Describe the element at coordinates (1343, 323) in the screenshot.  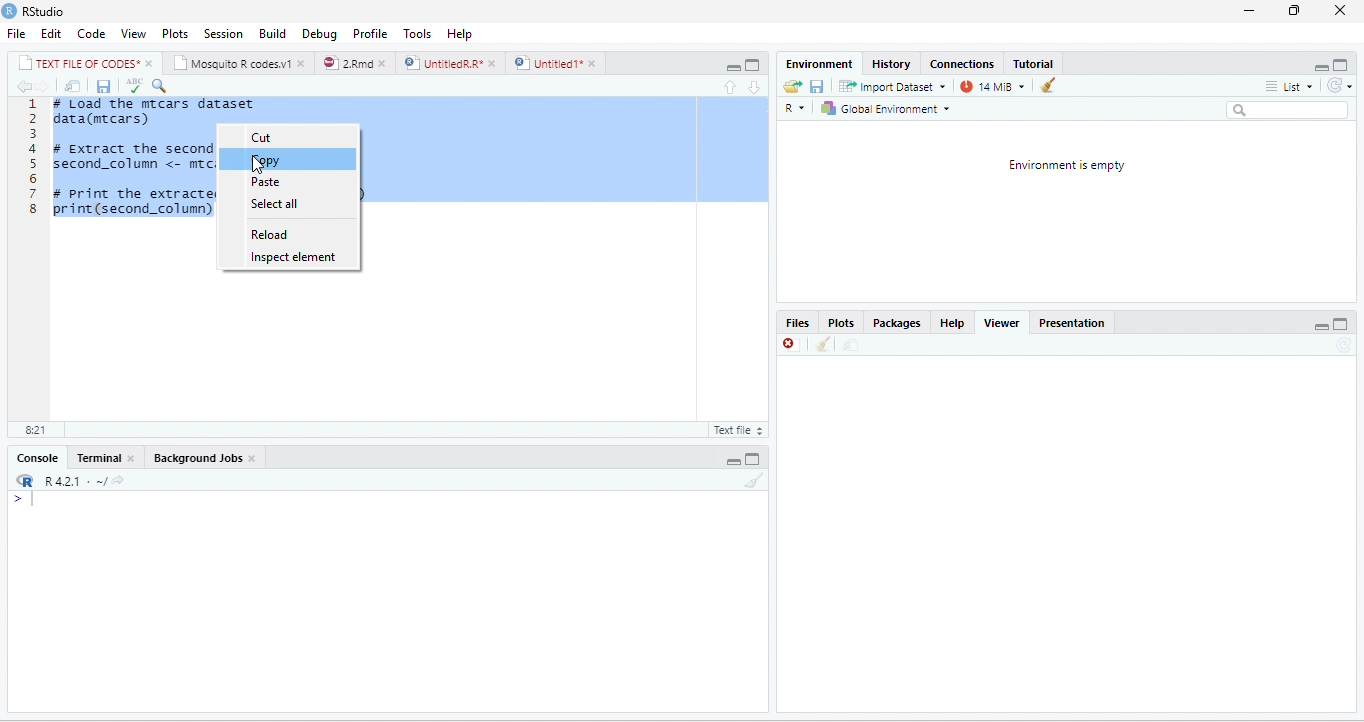
I see `maximize` at that location.